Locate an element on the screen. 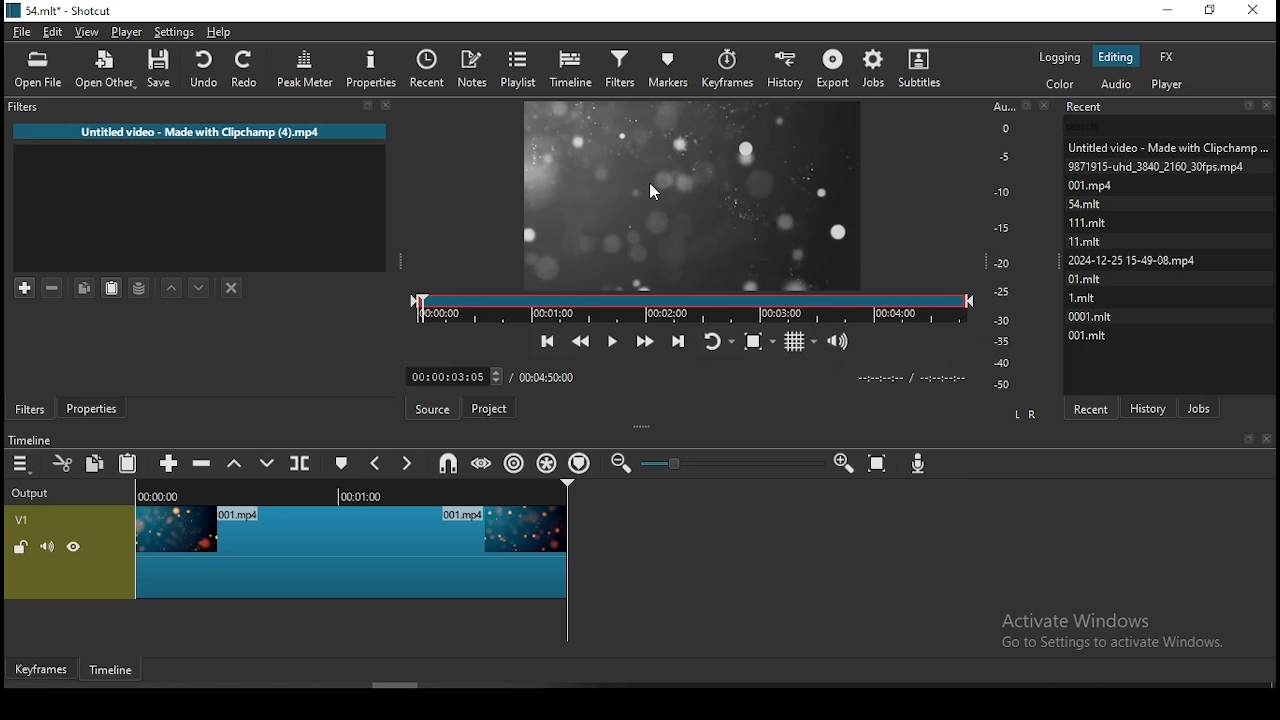  properties is located at coordinates (375, 71).